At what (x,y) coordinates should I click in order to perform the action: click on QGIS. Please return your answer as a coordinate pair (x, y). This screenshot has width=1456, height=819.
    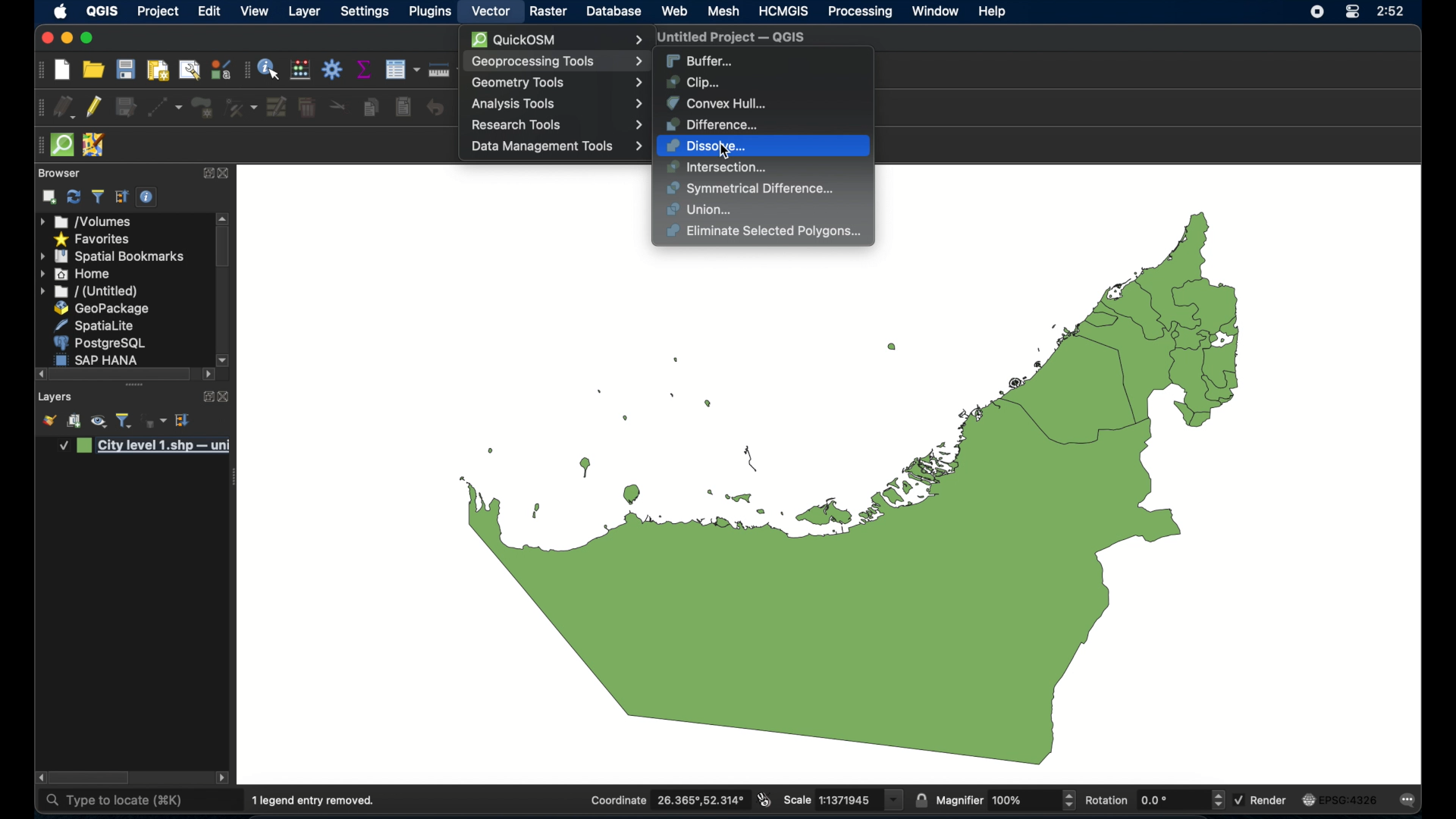
    Looking at the image, I should click on (102, 12).